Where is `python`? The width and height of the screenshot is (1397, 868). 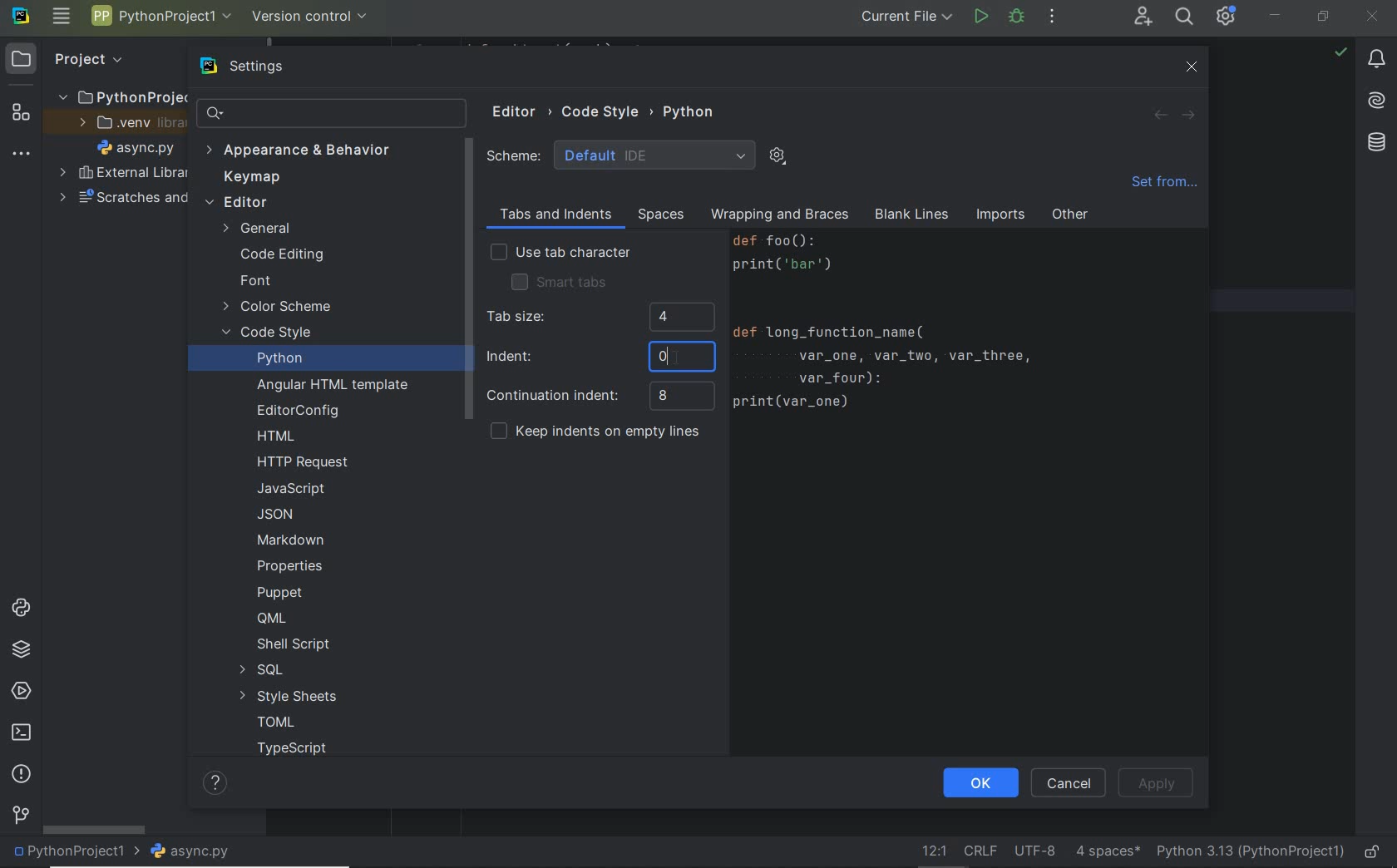
python is located at coordinates (279, 358).